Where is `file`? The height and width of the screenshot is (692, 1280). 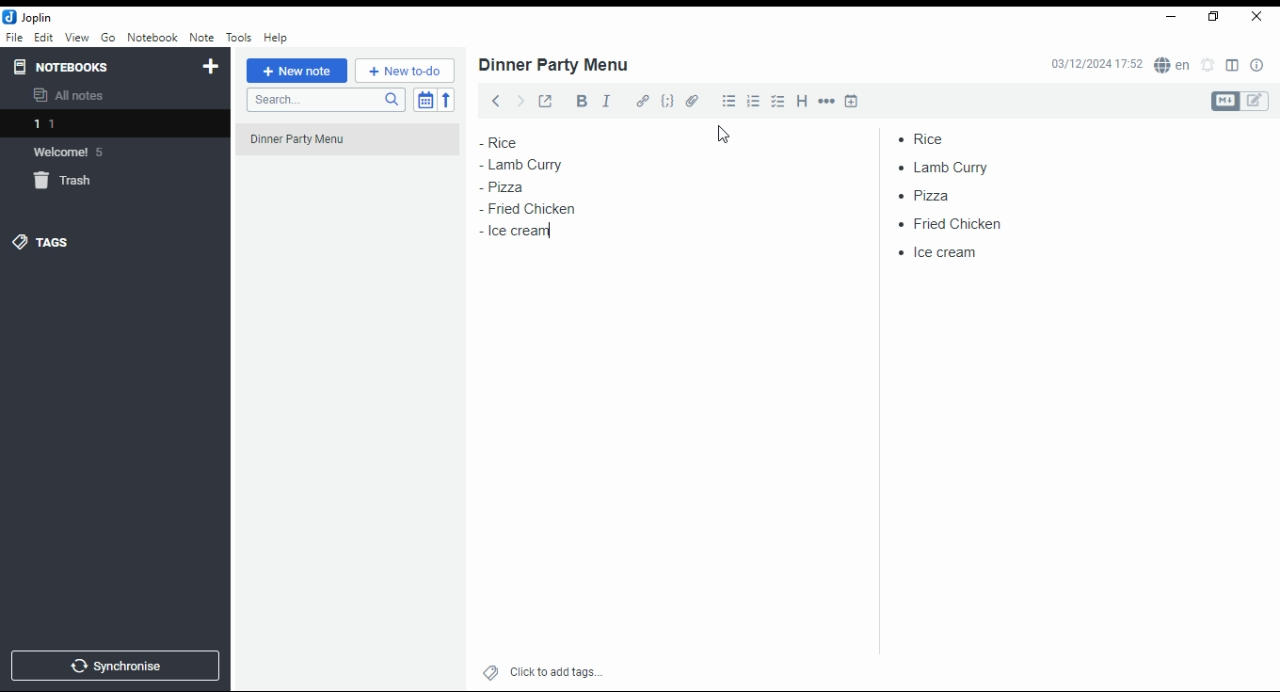
file is located at coordinates (14, 37).